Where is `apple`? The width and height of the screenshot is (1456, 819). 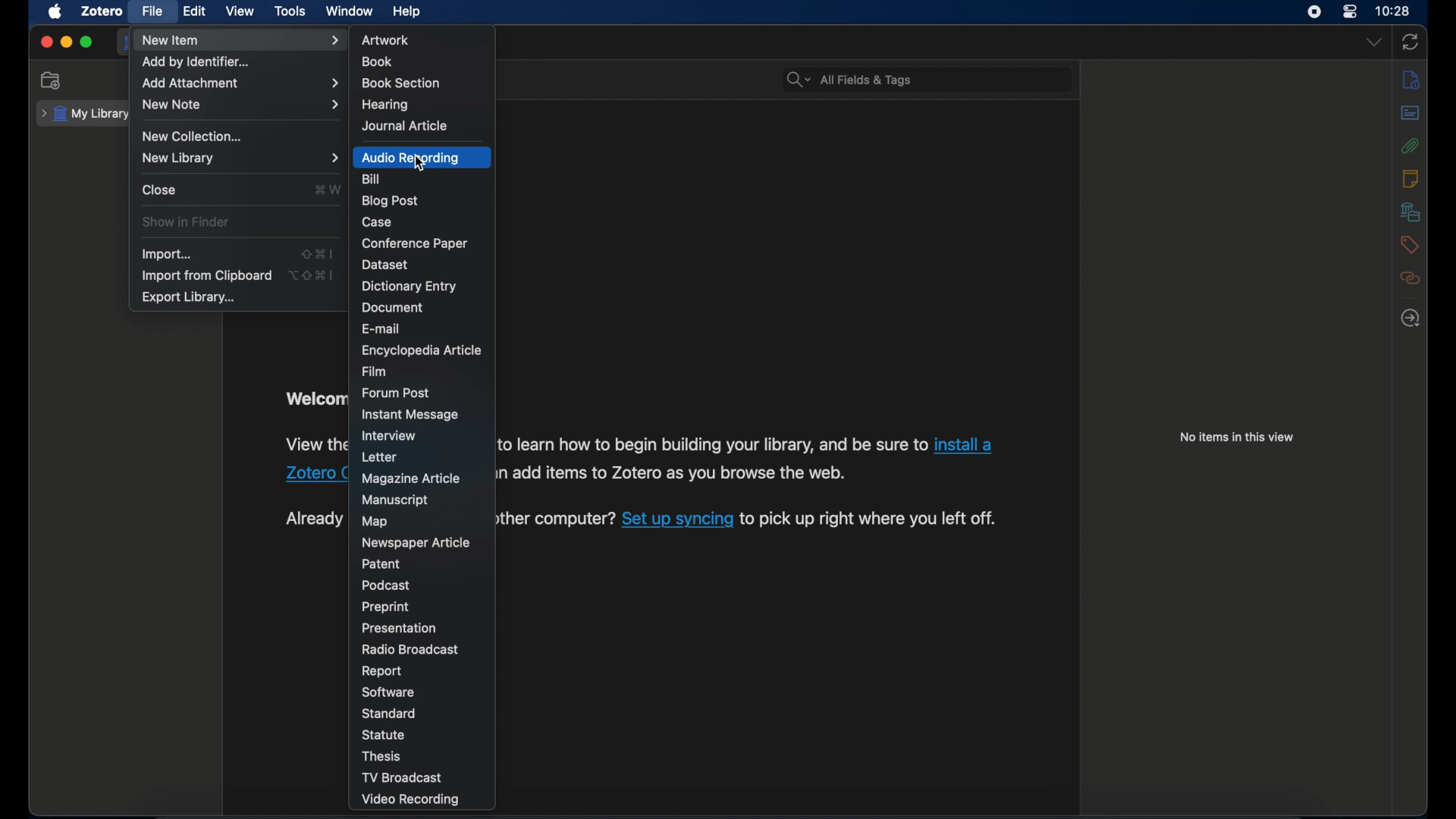 apple is located at coordinates (55, 12).